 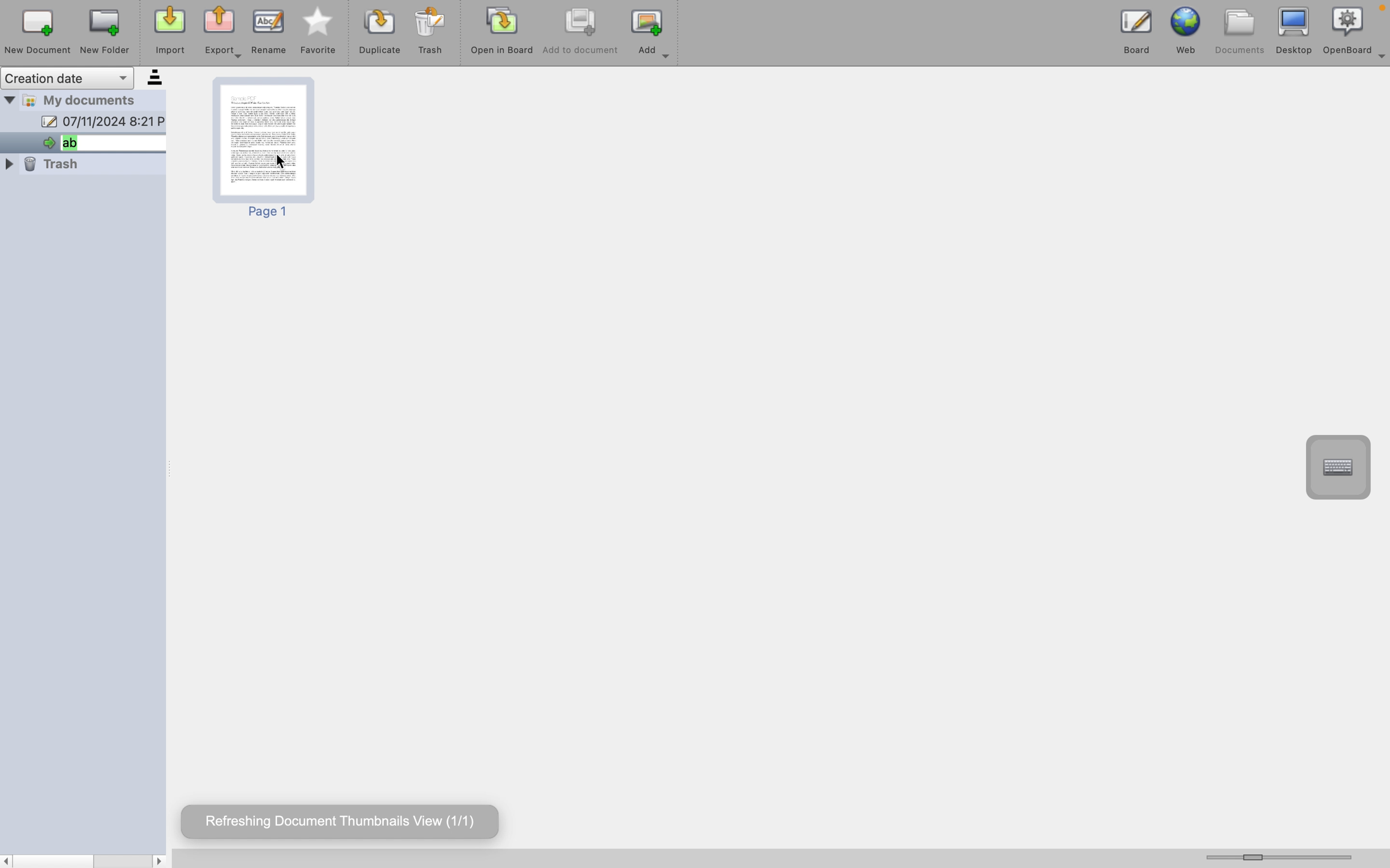 I want to click on new document, so click(x=37, y=32).